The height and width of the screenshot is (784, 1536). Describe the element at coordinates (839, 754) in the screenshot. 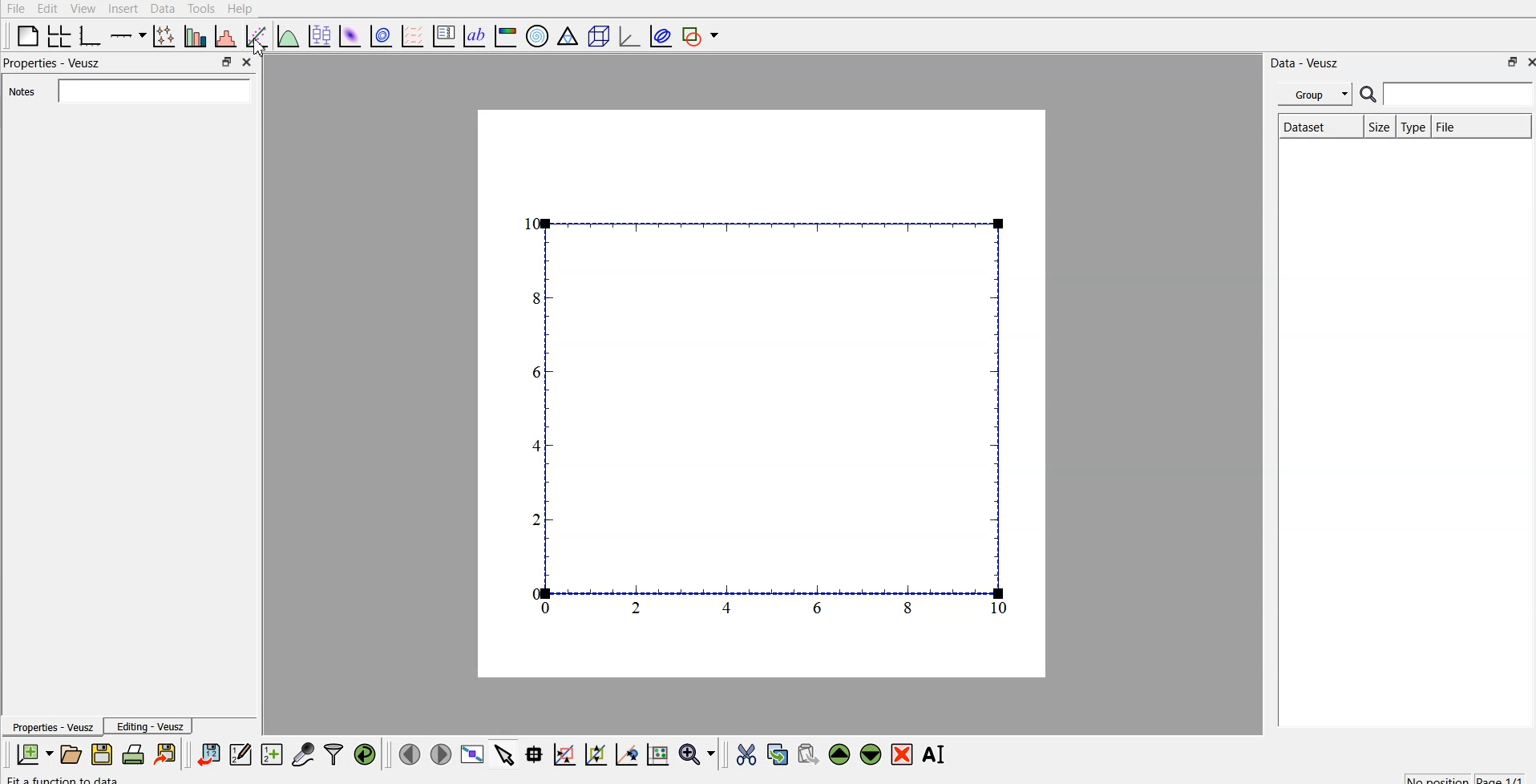

I see `move up the selected widget` at that location.